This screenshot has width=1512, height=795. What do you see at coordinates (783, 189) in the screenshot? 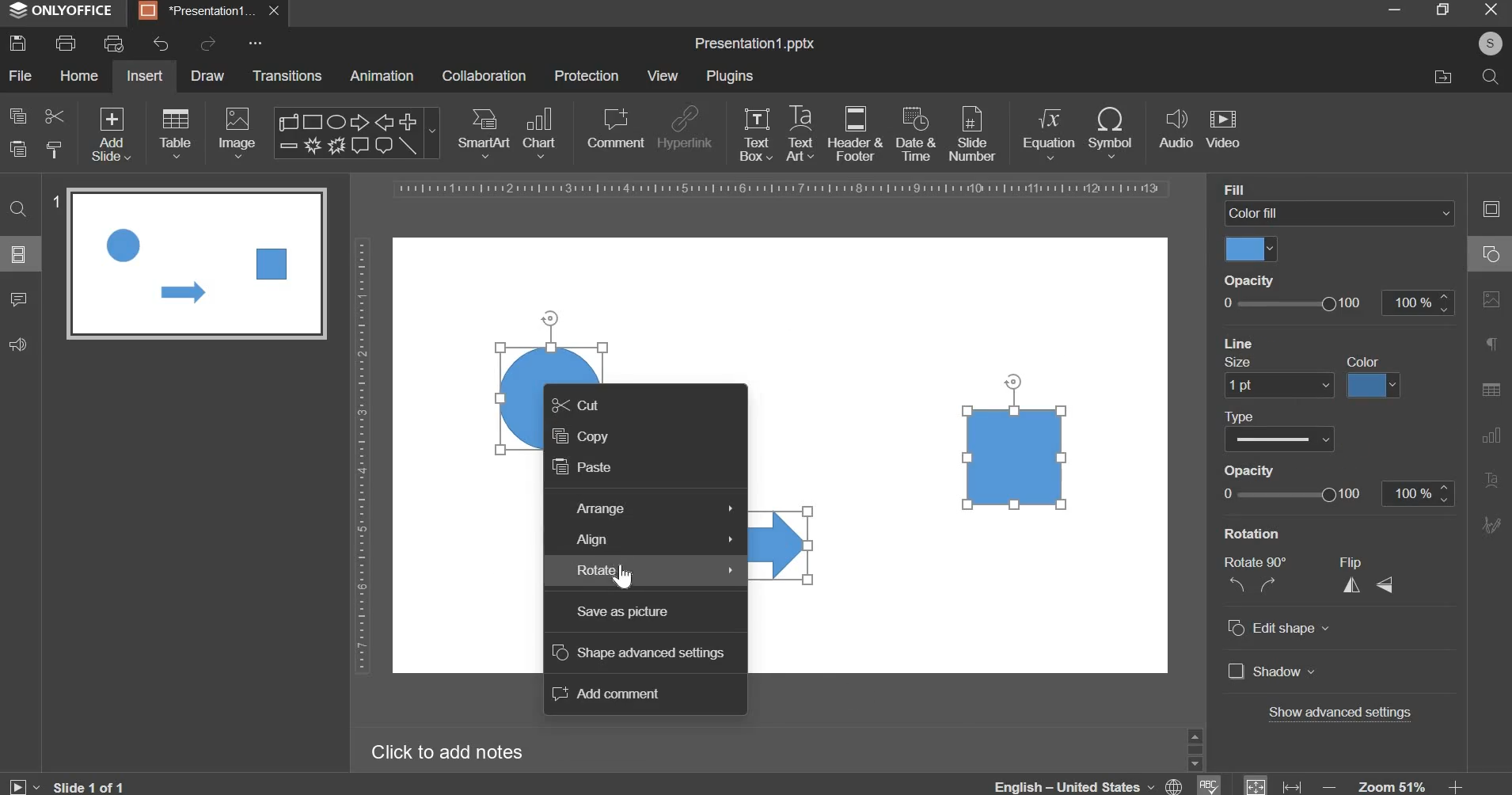
I see `horizontal scale` at bounding box center [783, 189].